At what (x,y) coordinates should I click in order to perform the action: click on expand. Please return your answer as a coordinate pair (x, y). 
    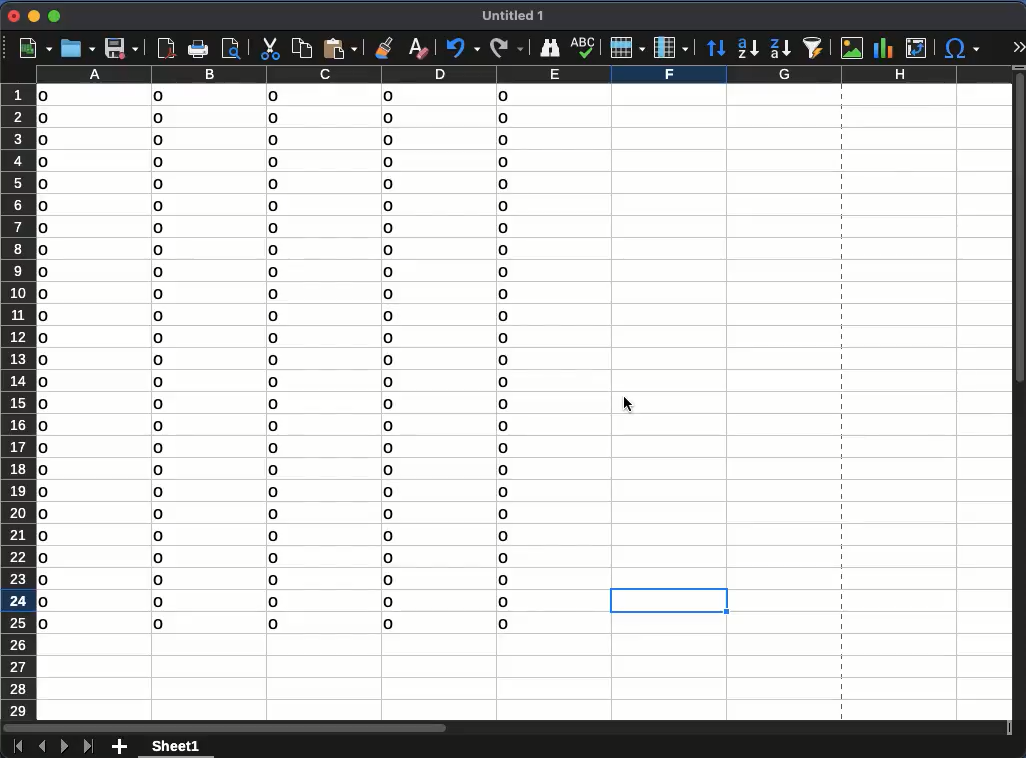
    Looking at the image, I should click on (1016, 45).